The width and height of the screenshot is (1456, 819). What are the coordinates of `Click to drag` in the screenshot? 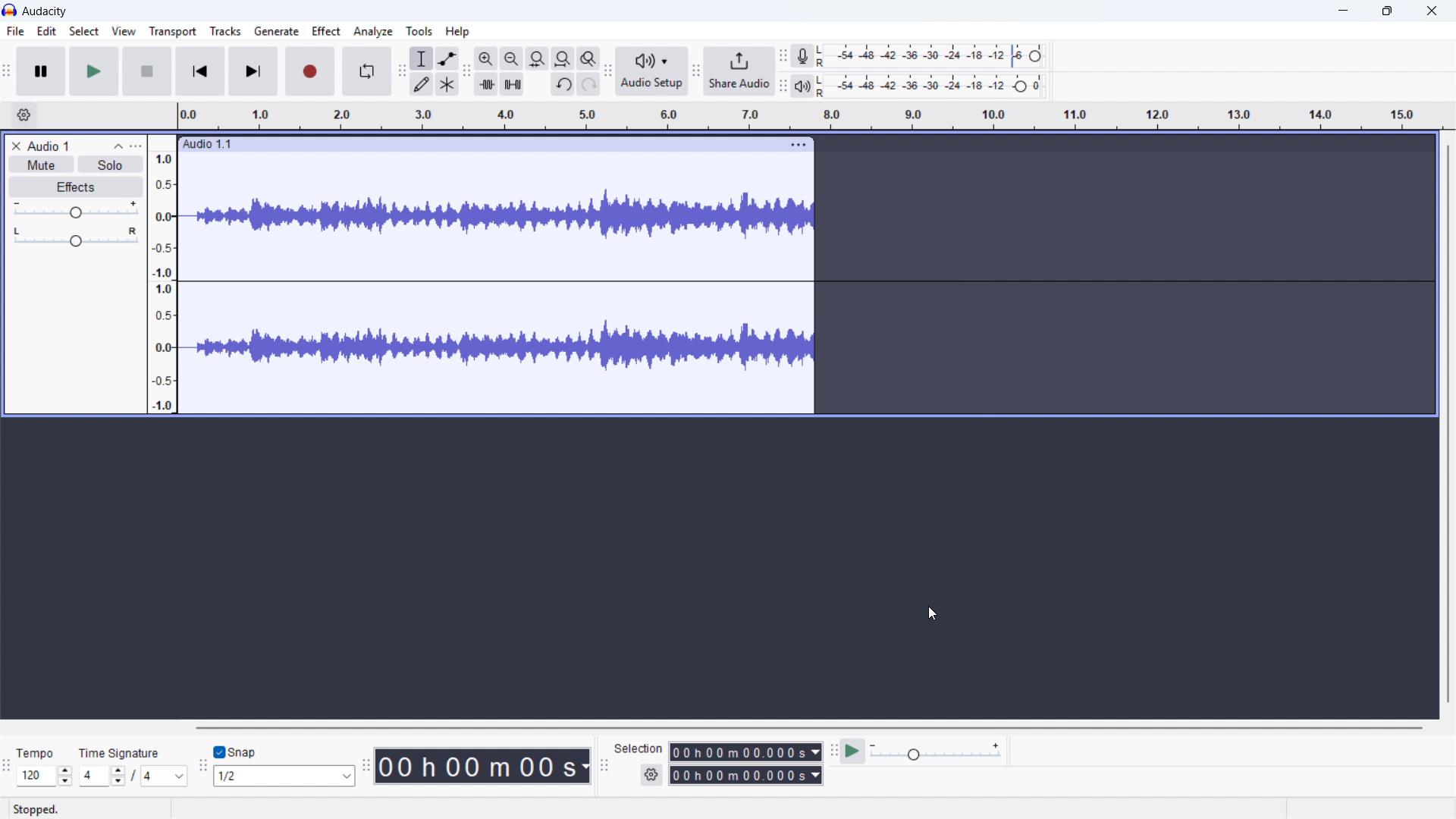 It's located at (470, 145).